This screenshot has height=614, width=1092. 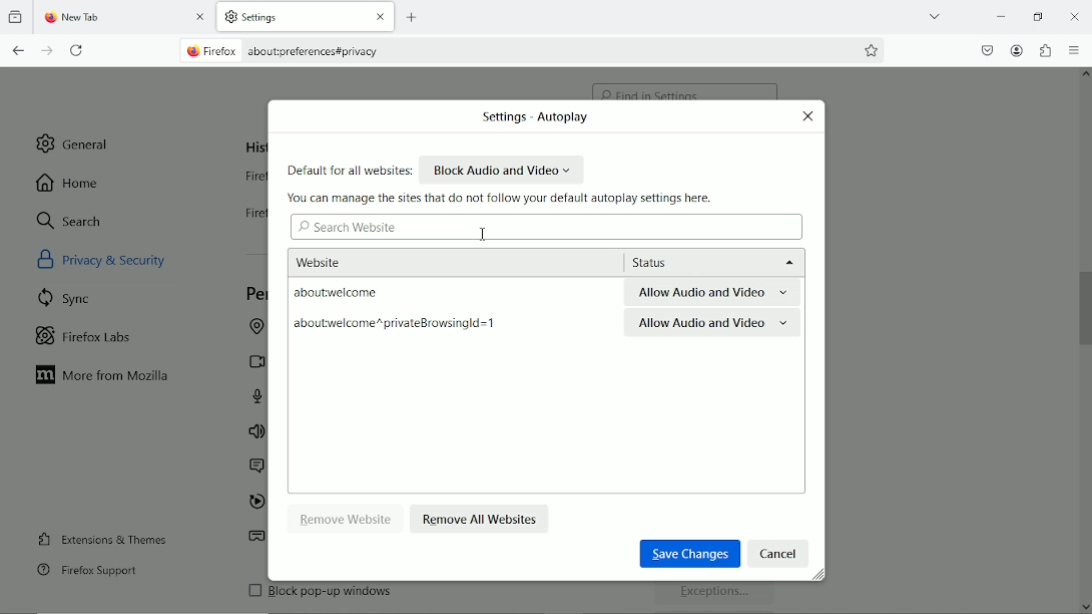 What do you see at coordinates (78, 51) in the screenshot?
I see `reload current tab` at bounding box center [78, 51].